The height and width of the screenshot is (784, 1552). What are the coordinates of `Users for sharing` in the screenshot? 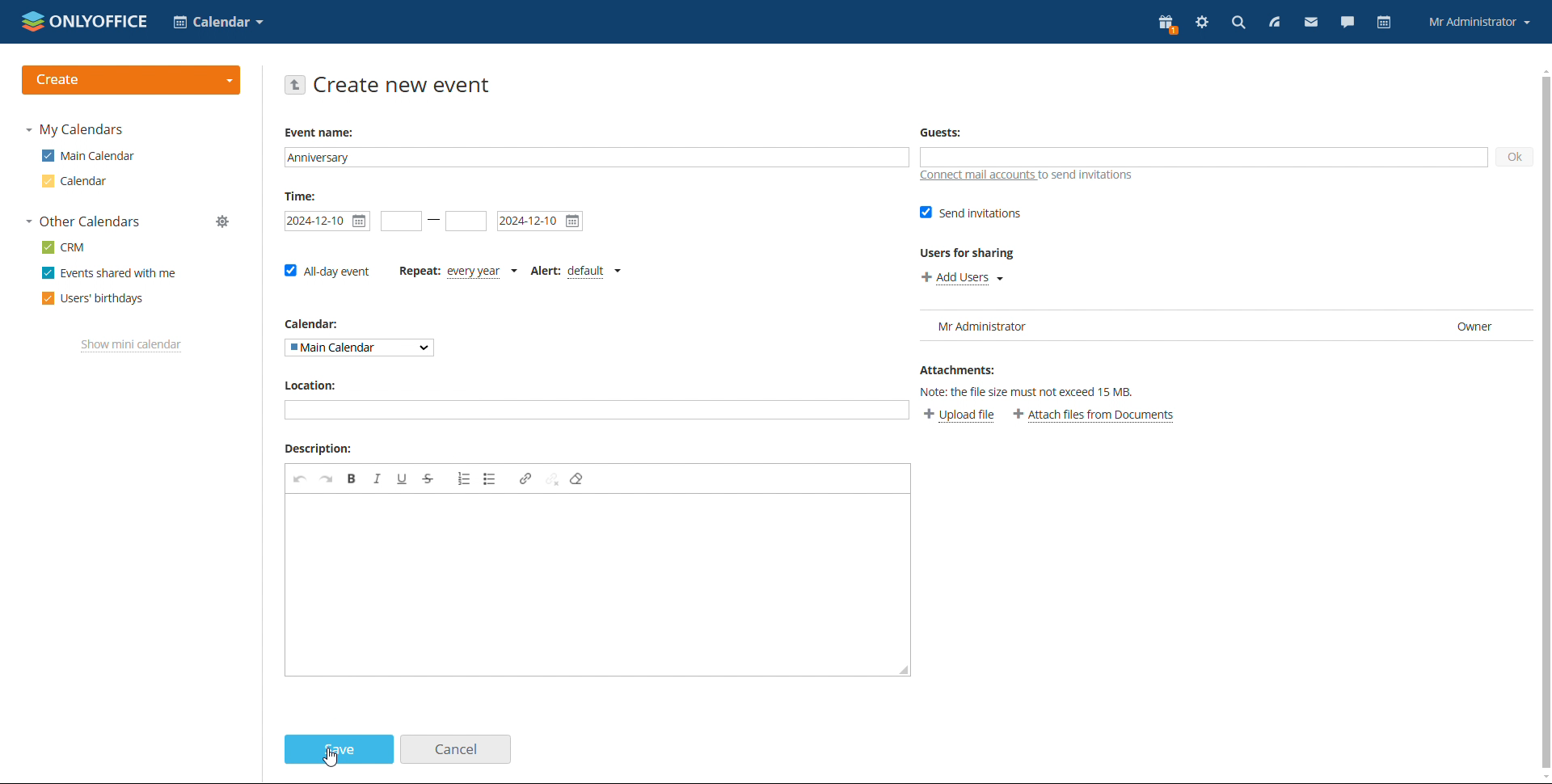 It's located at (959, 252).